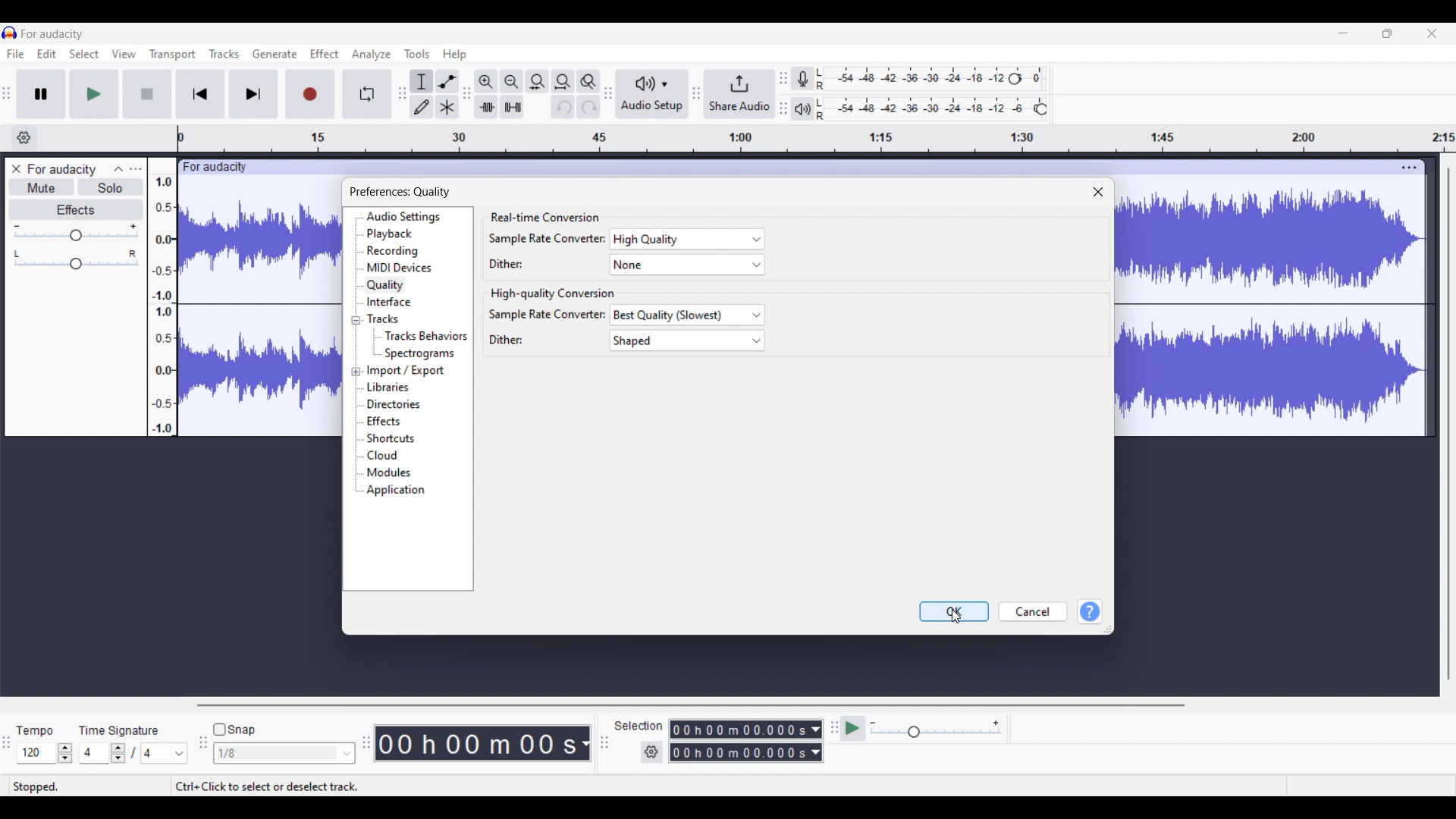 This screenshot has width=1456, height=819. What do you see at coordinates (260, 305) in the screenshot?
I see `current track` at bounding box center [260, 305].